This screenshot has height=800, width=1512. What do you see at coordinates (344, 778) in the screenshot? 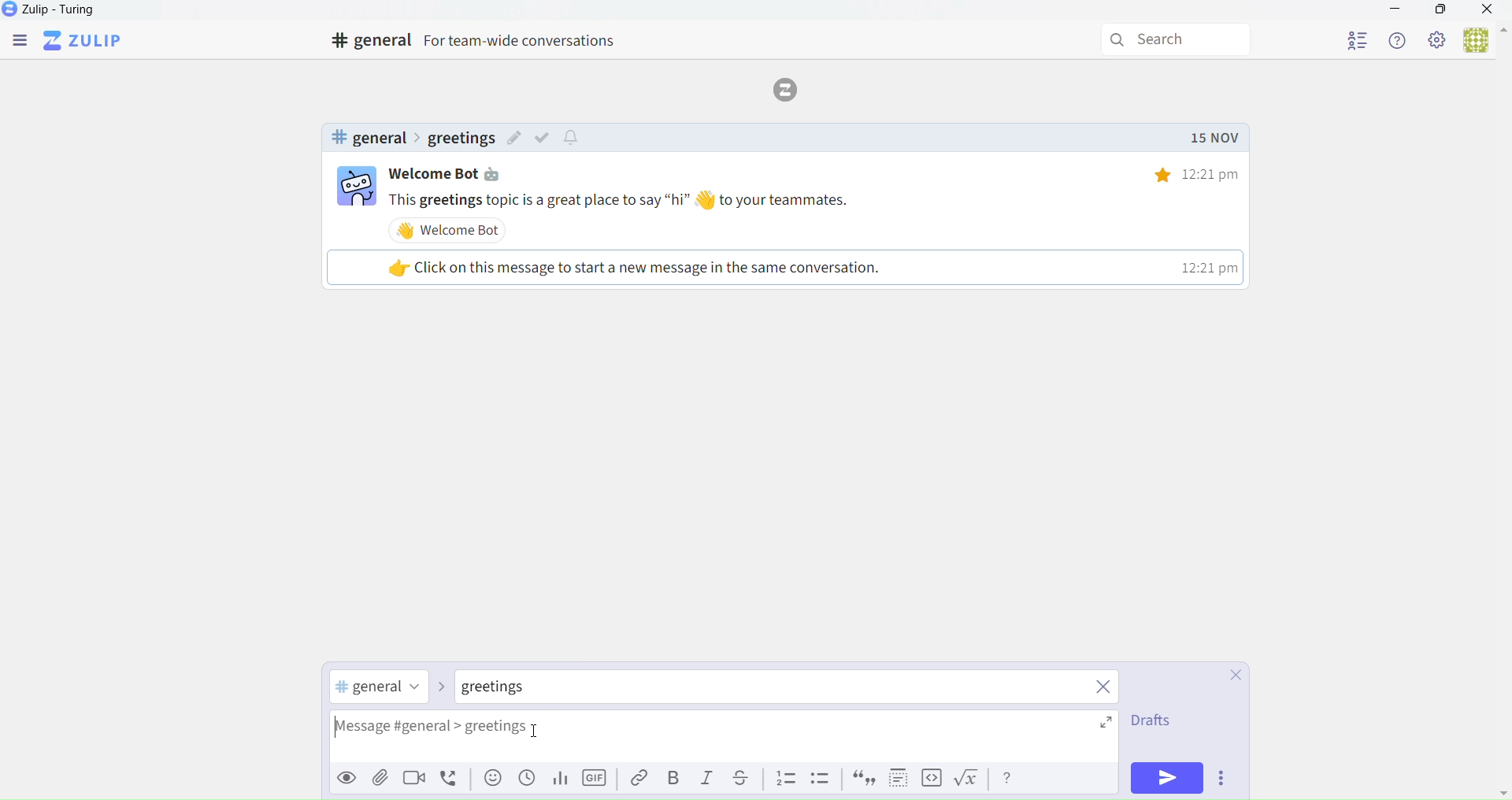
I see `Preview` at bounding box center [344, 778].